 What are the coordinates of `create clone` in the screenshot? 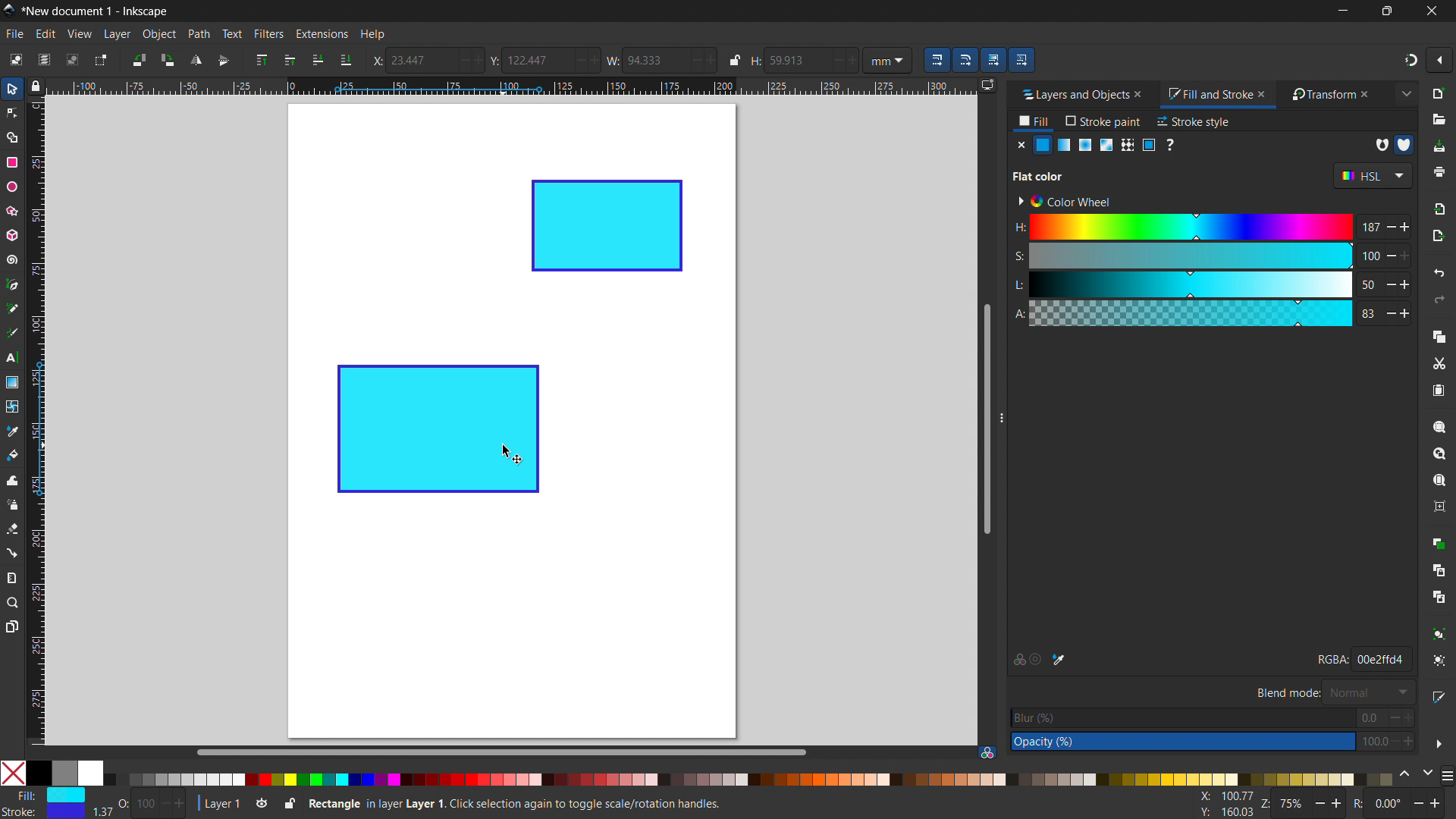 It's located at (1438, 569).